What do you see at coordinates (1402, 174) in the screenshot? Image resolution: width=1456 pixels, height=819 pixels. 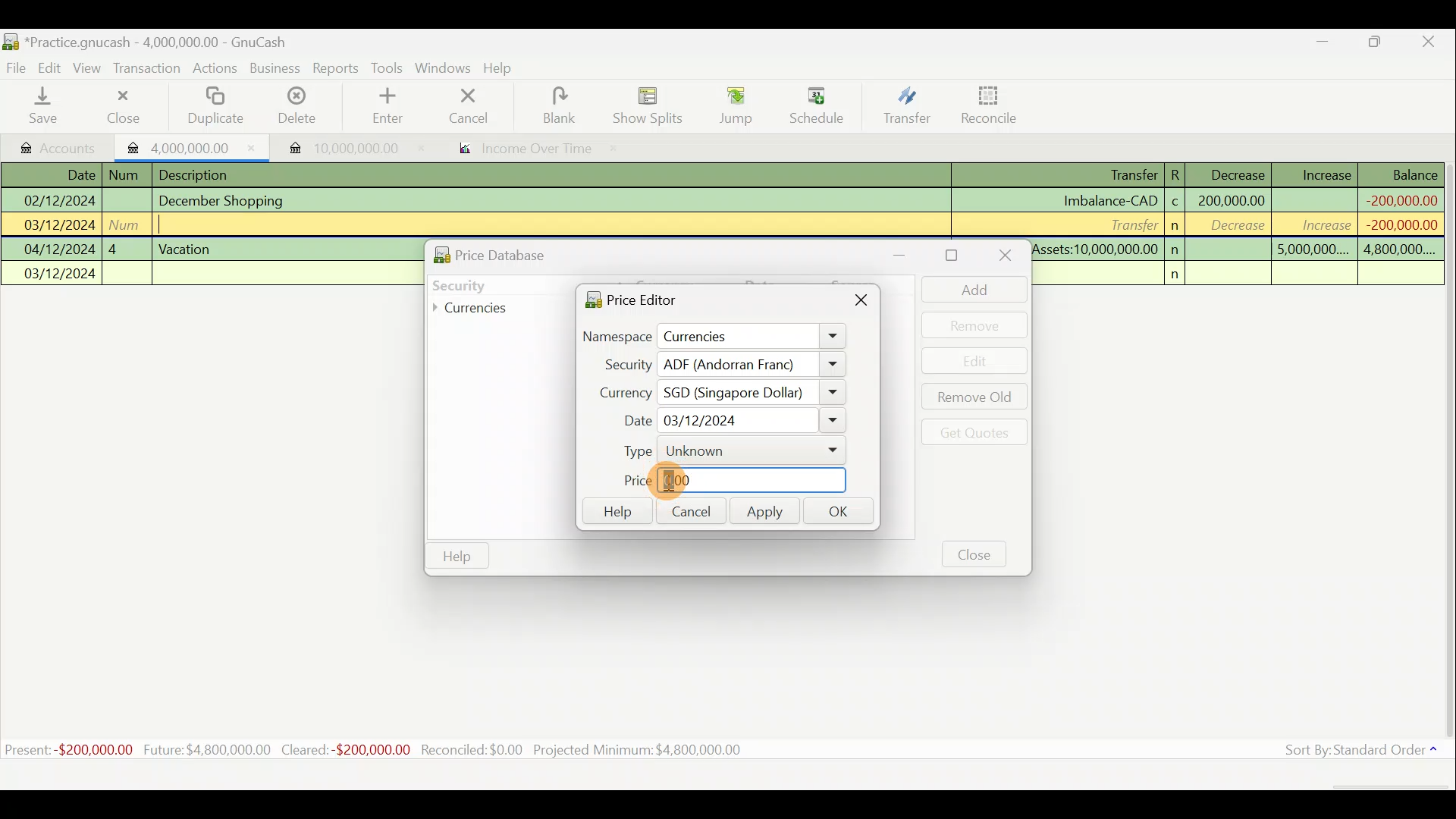 I see `Balance` at bounding box center [1402, 174].